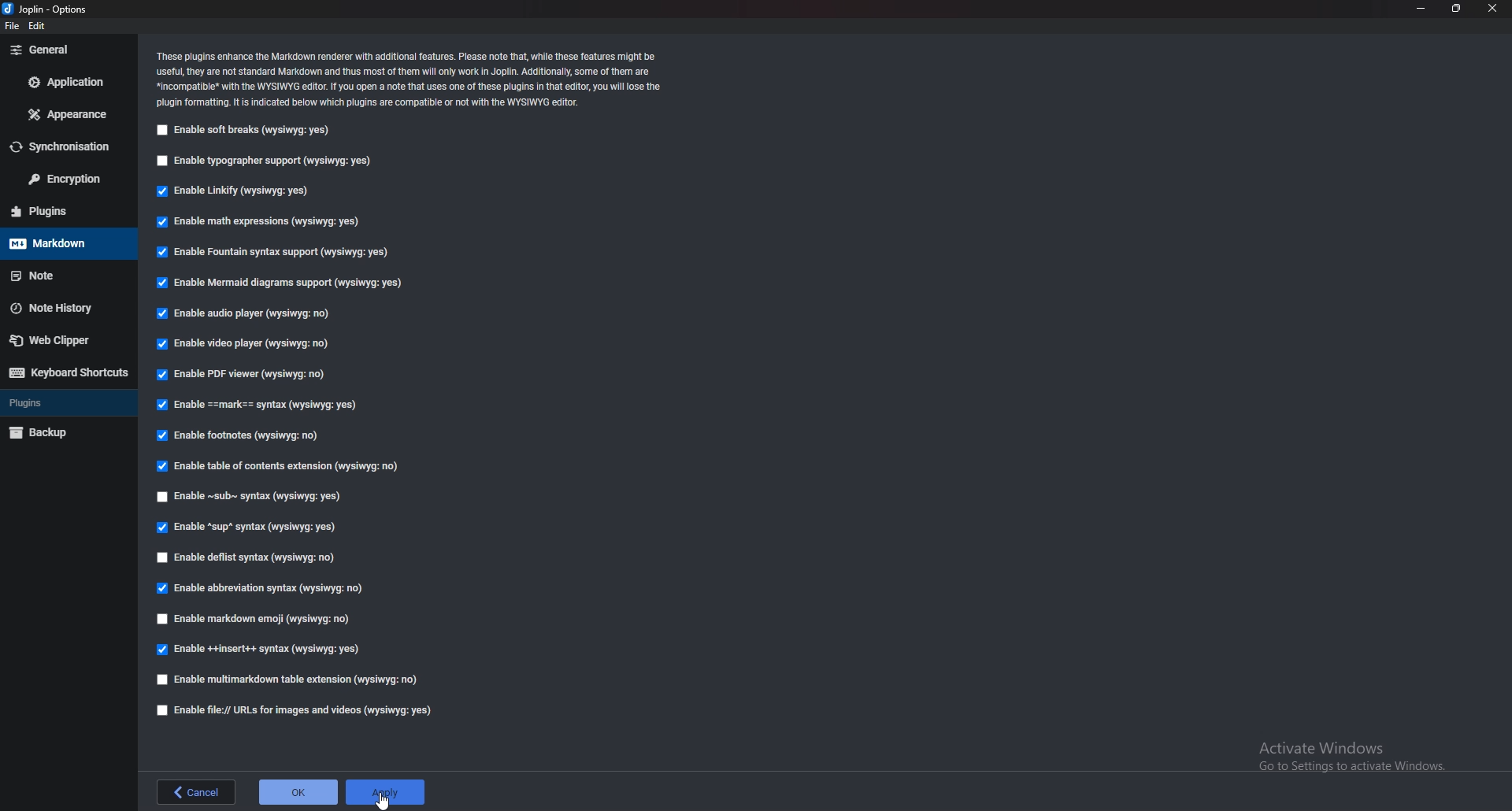 The image size is (1512, 811). Describe the element at coordinates (295, 711) in the screenshot. I see `enable file urls for images and videos` at that location.